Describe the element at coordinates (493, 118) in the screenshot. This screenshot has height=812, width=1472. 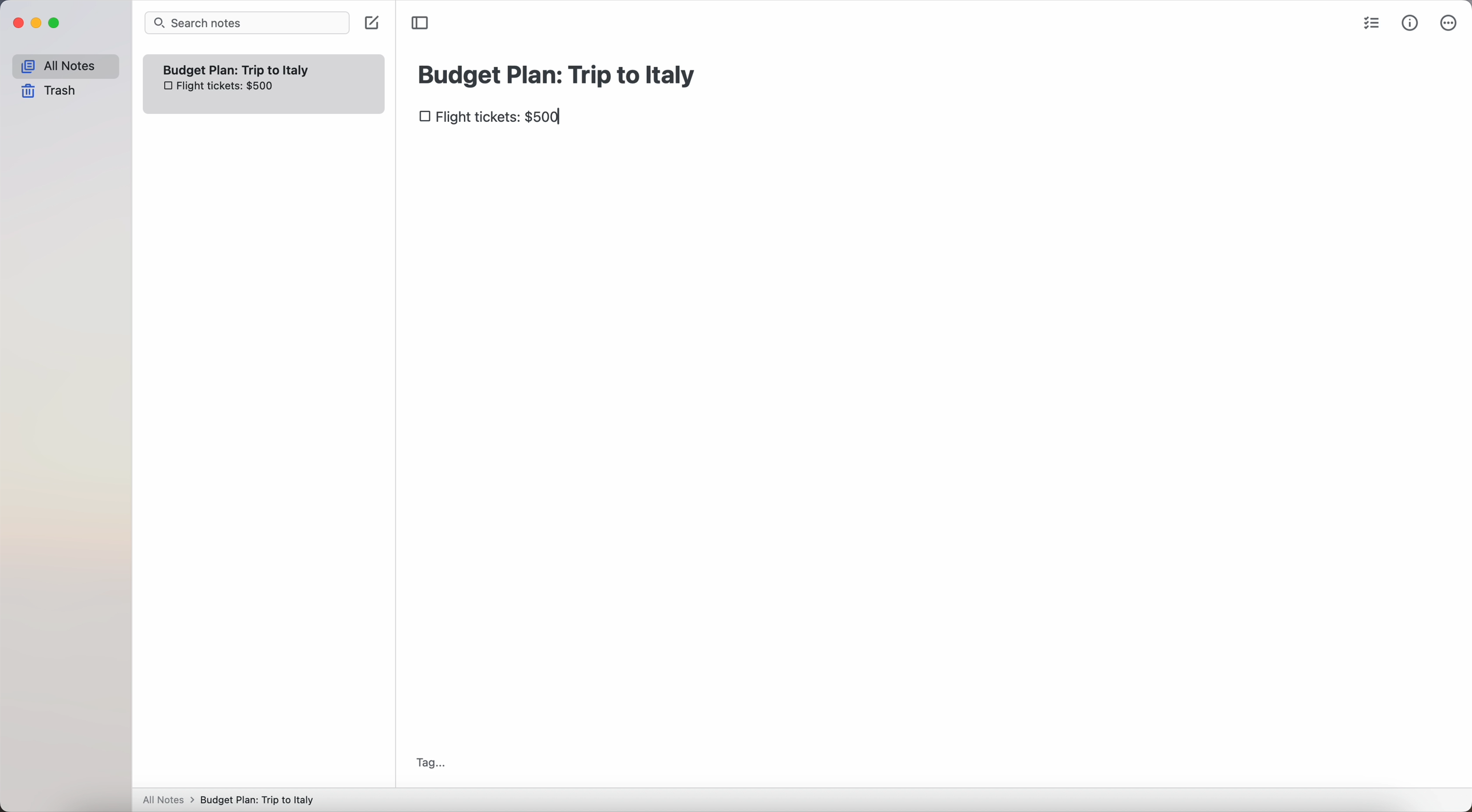
I see `flight tickets: $500` at that location.